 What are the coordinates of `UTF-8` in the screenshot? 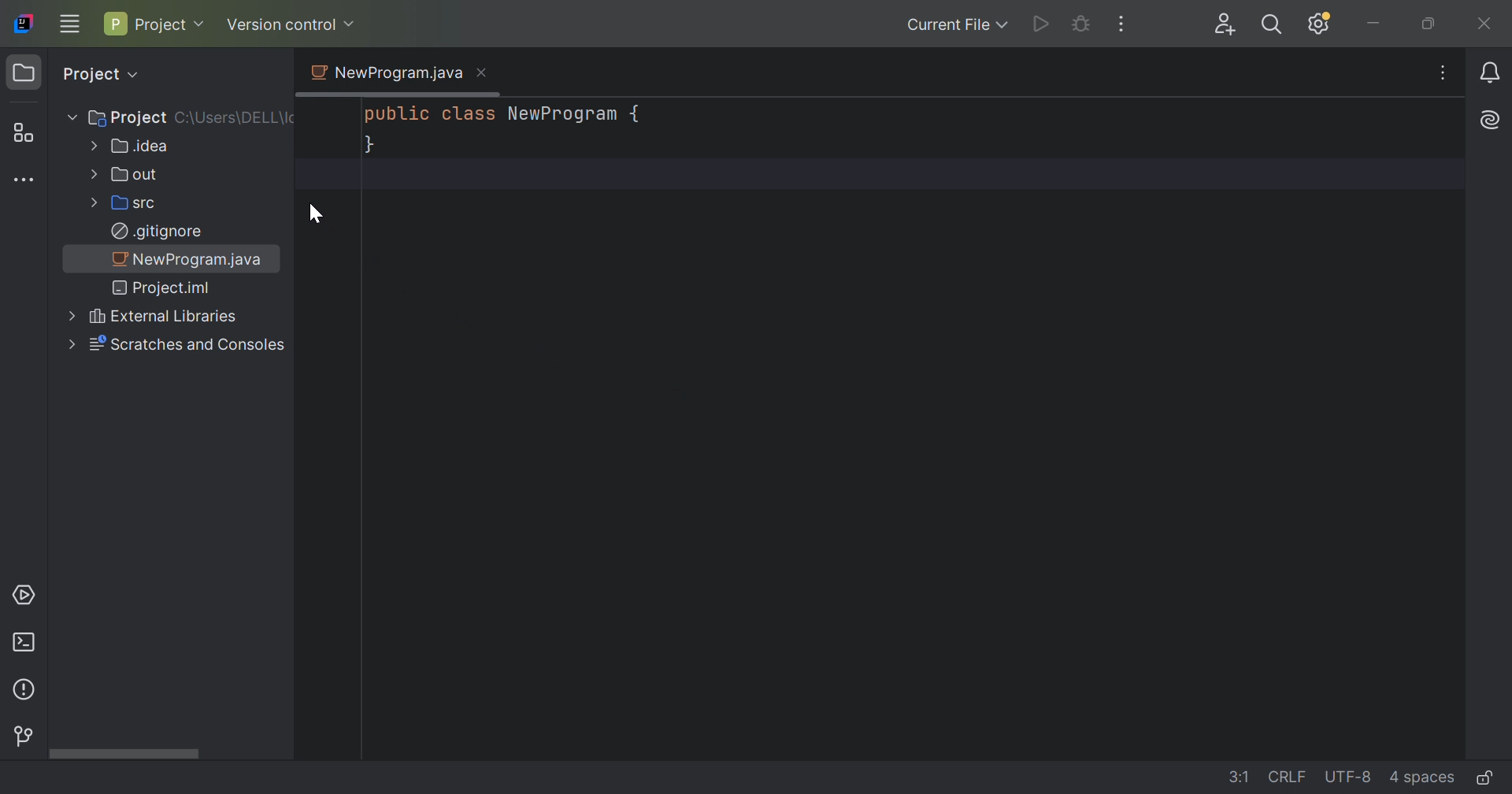 It's located at (1347, 777).